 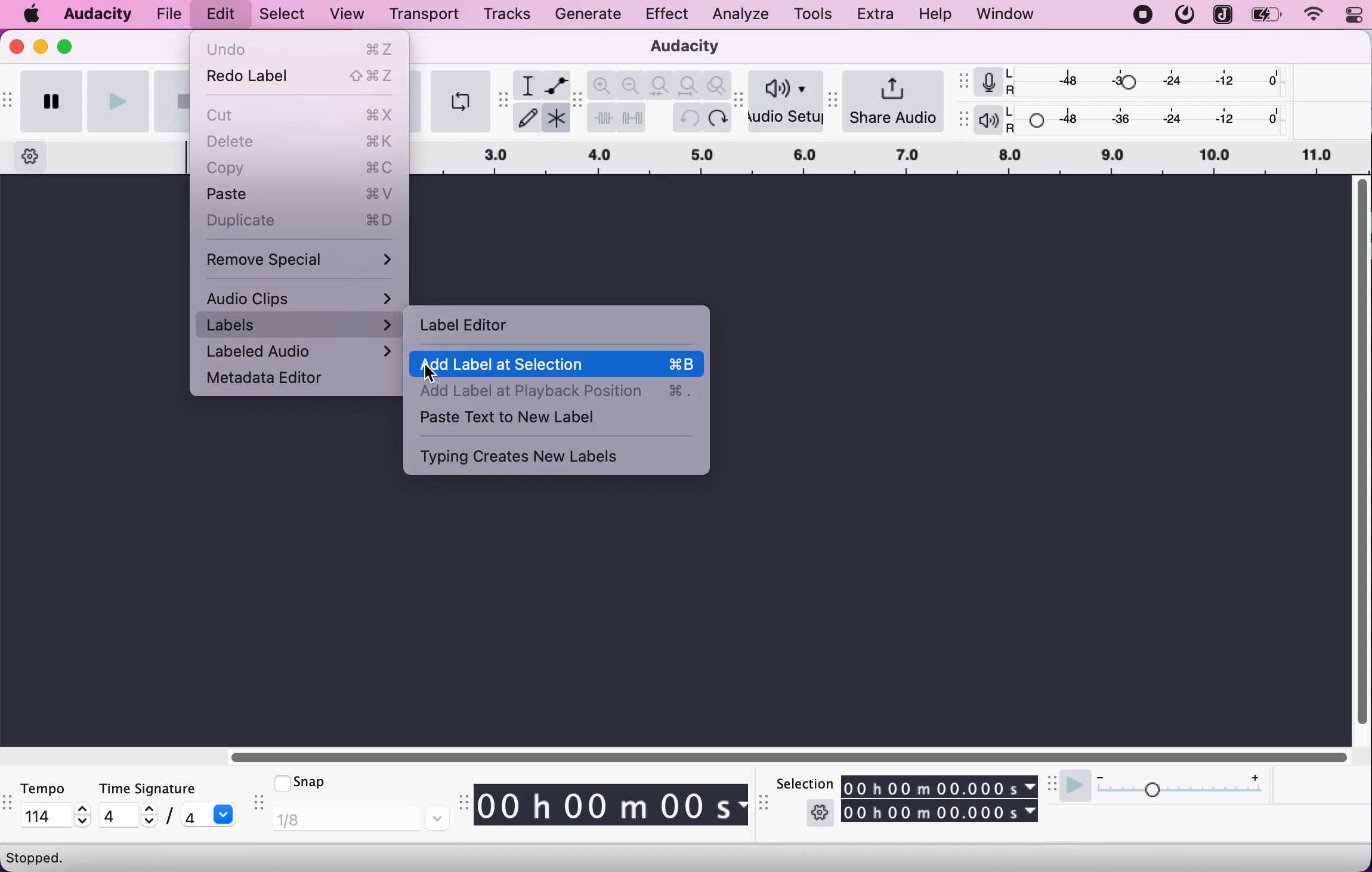 I want to click on audacity edit tool bar, so click(x=578, y=101).